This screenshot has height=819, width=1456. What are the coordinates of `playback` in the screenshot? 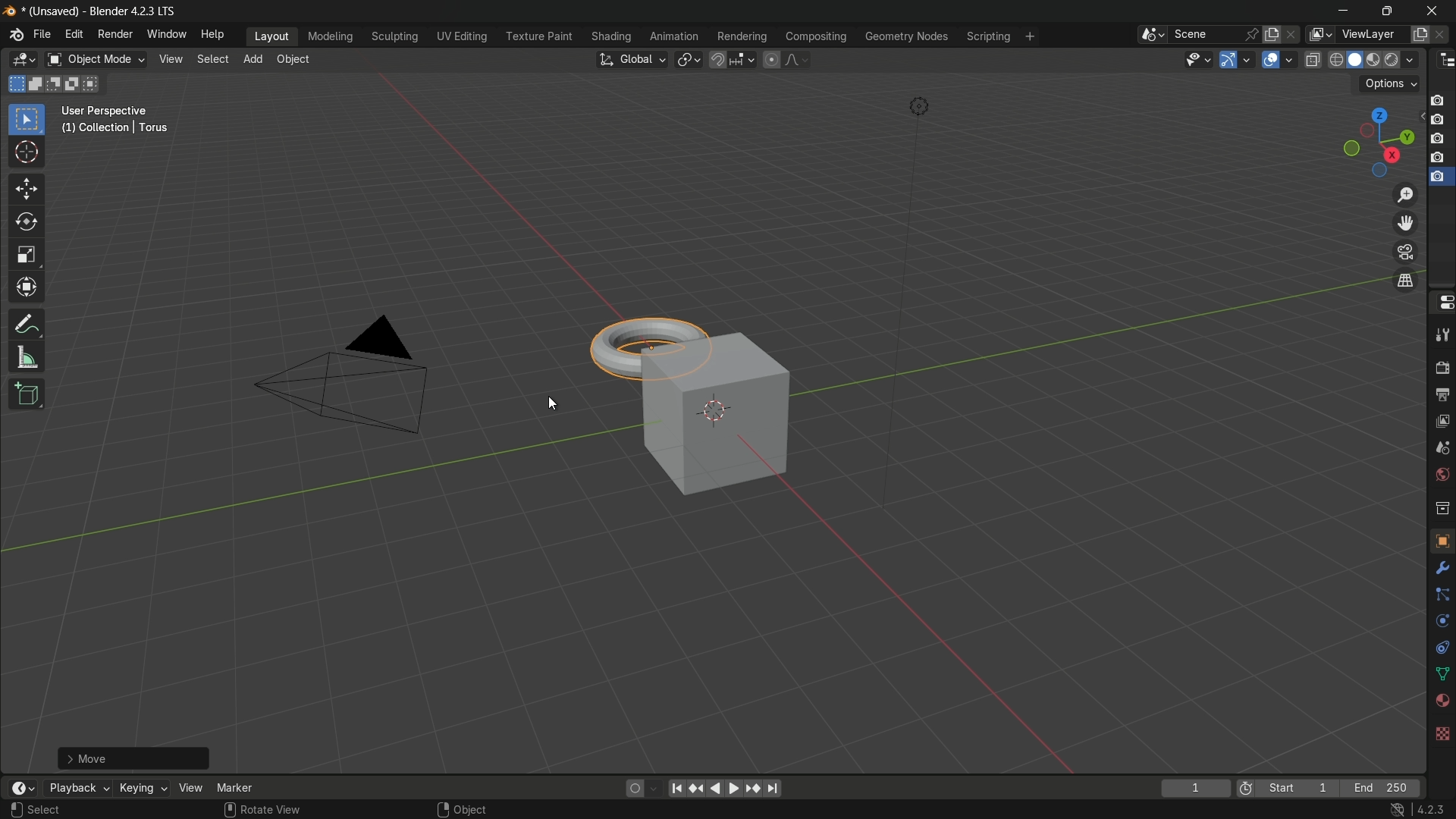 It's located at (77, 788).